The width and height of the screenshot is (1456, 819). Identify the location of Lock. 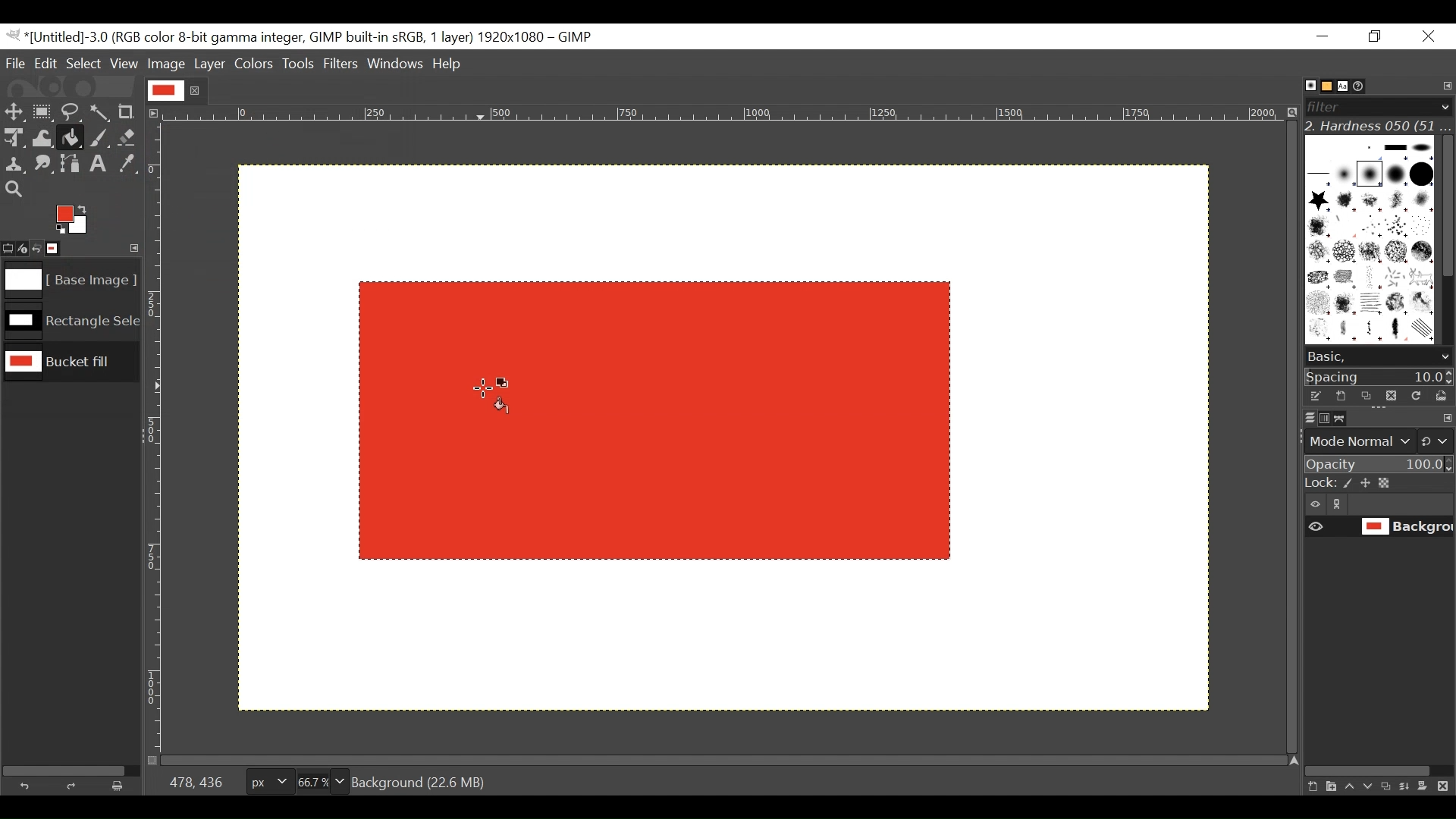
(1378, 484).